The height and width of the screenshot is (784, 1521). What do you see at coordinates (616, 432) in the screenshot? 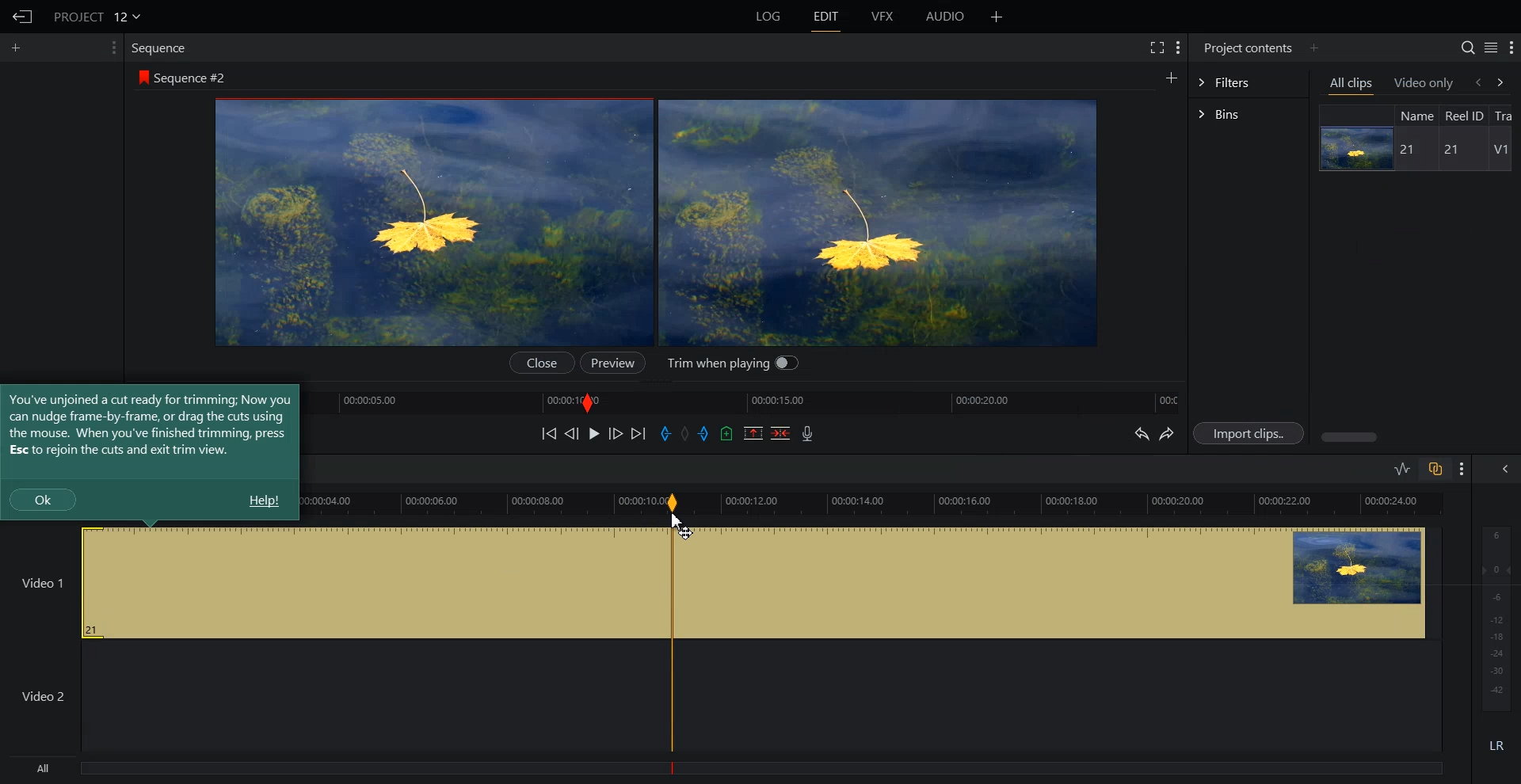
I see `Nudge one frame forward` at bounding box center [616, 432].